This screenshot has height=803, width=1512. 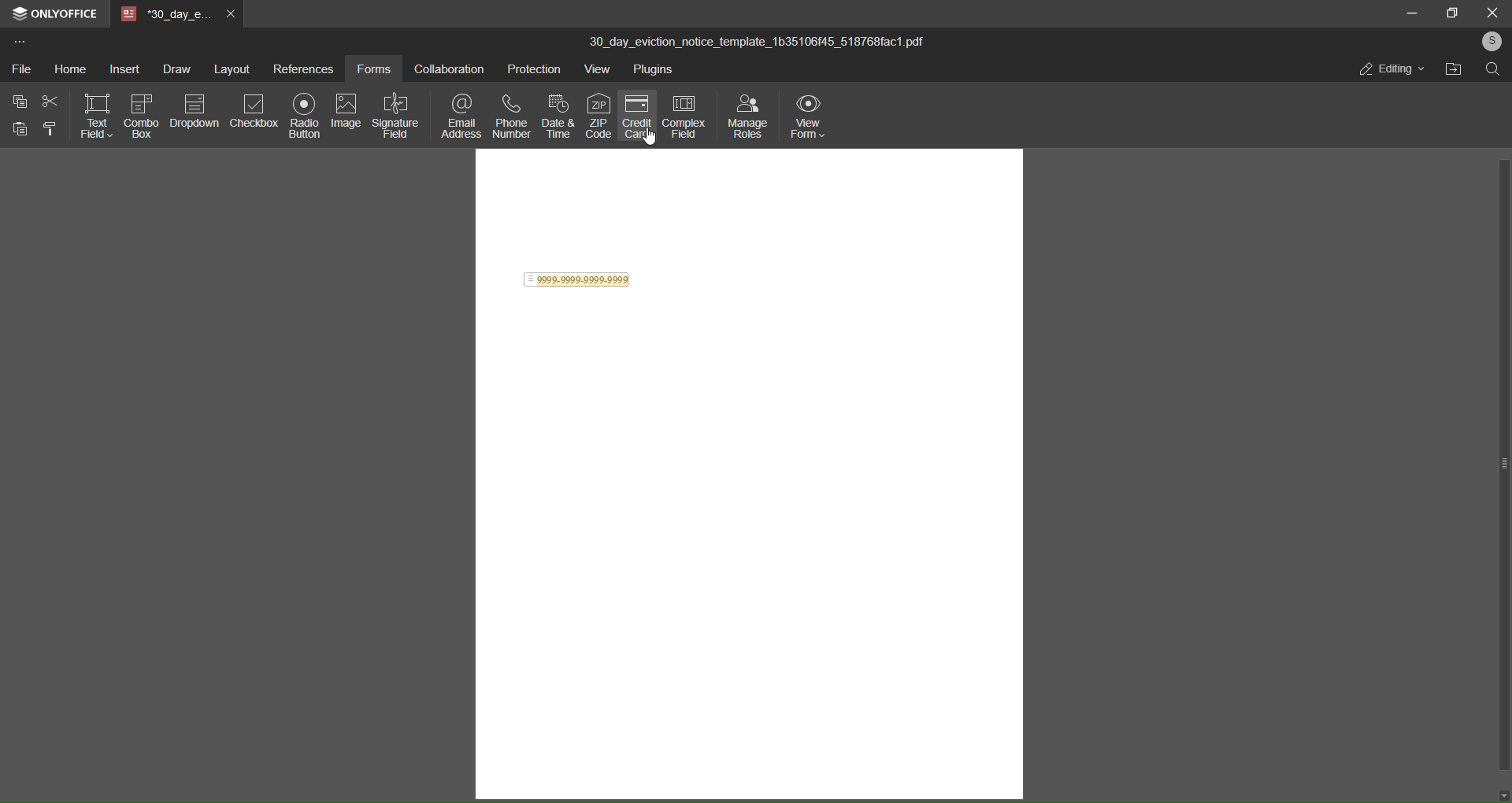 What do you see at coordinates (253, 114) in the screenshot?
I see `checkbox` at bounding box center [253, 114].